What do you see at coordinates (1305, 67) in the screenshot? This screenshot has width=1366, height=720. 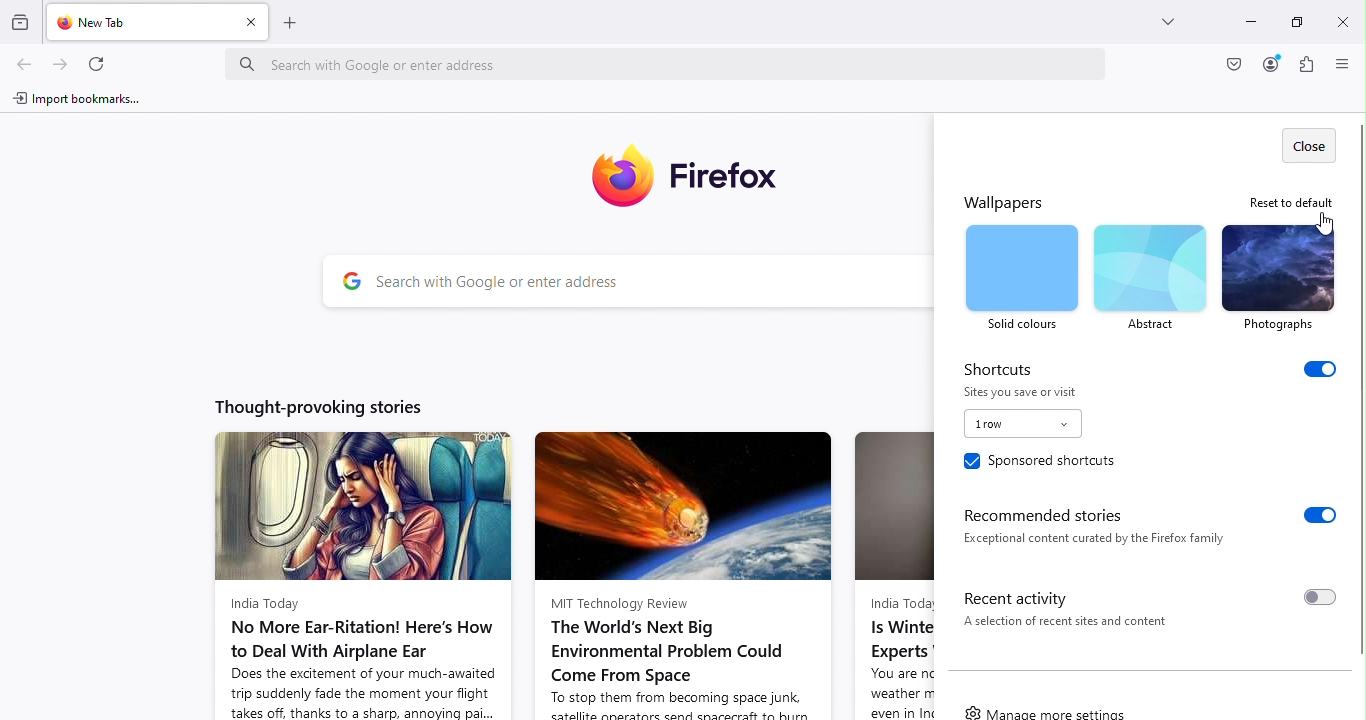 I see `Extensions` at bounding box center [1305, 67].